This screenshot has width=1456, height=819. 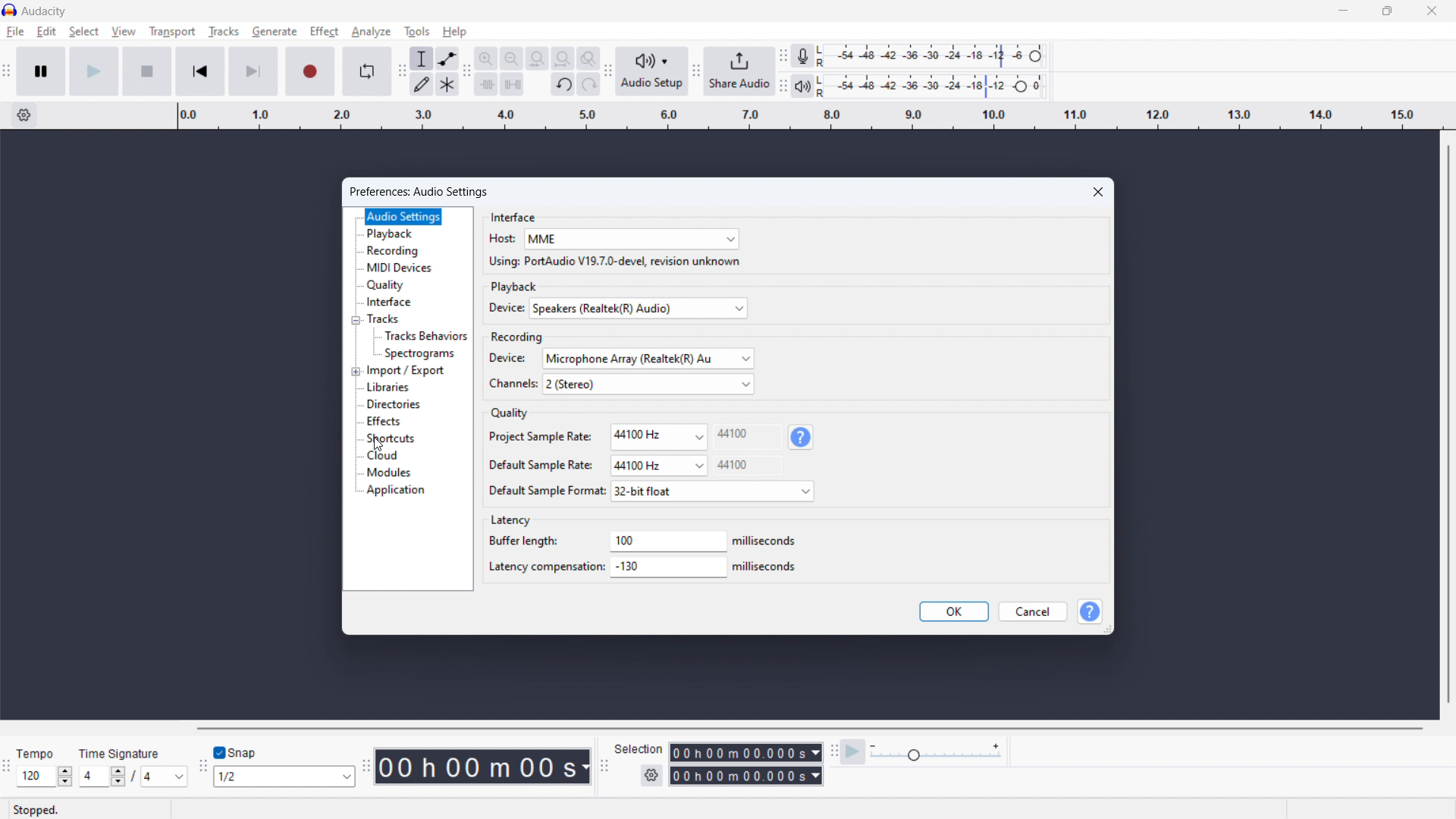 What do you see at coordinates (124, 31) in the screenshot?
I see `view` at bounding box center [124, 31].